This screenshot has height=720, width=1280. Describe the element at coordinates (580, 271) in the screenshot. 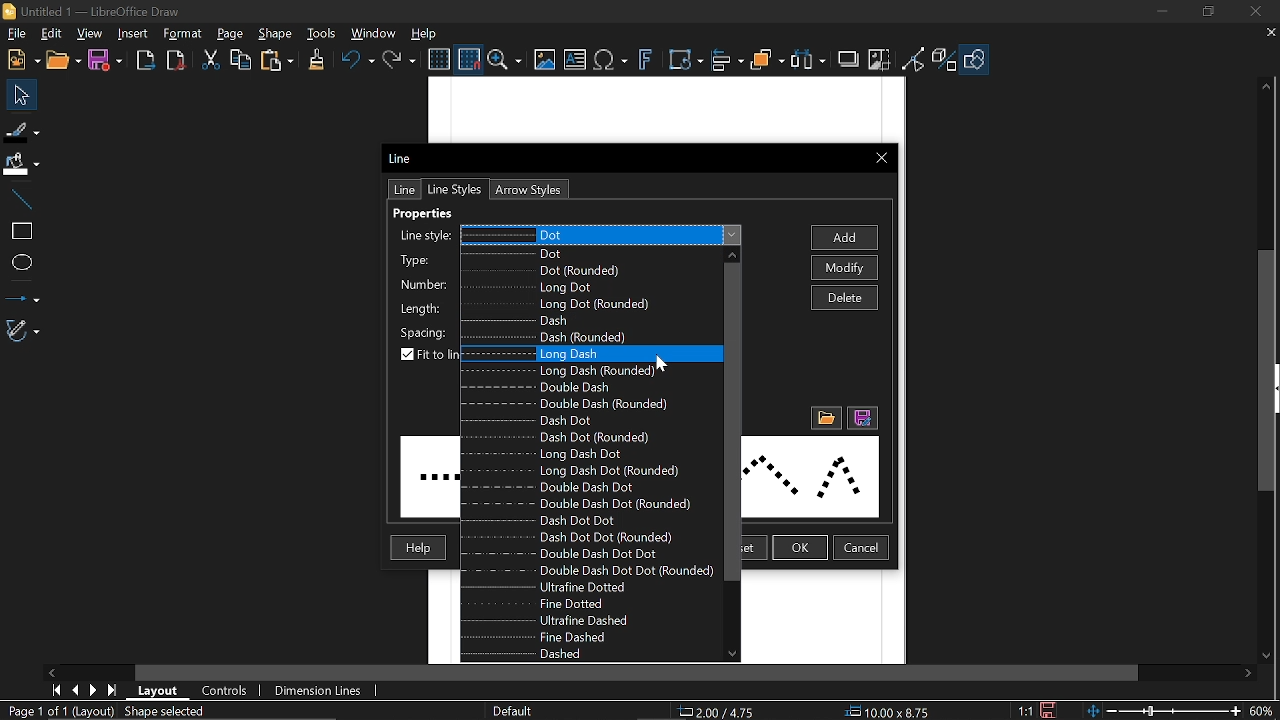

I see `Dot(Rounded)` at that location.